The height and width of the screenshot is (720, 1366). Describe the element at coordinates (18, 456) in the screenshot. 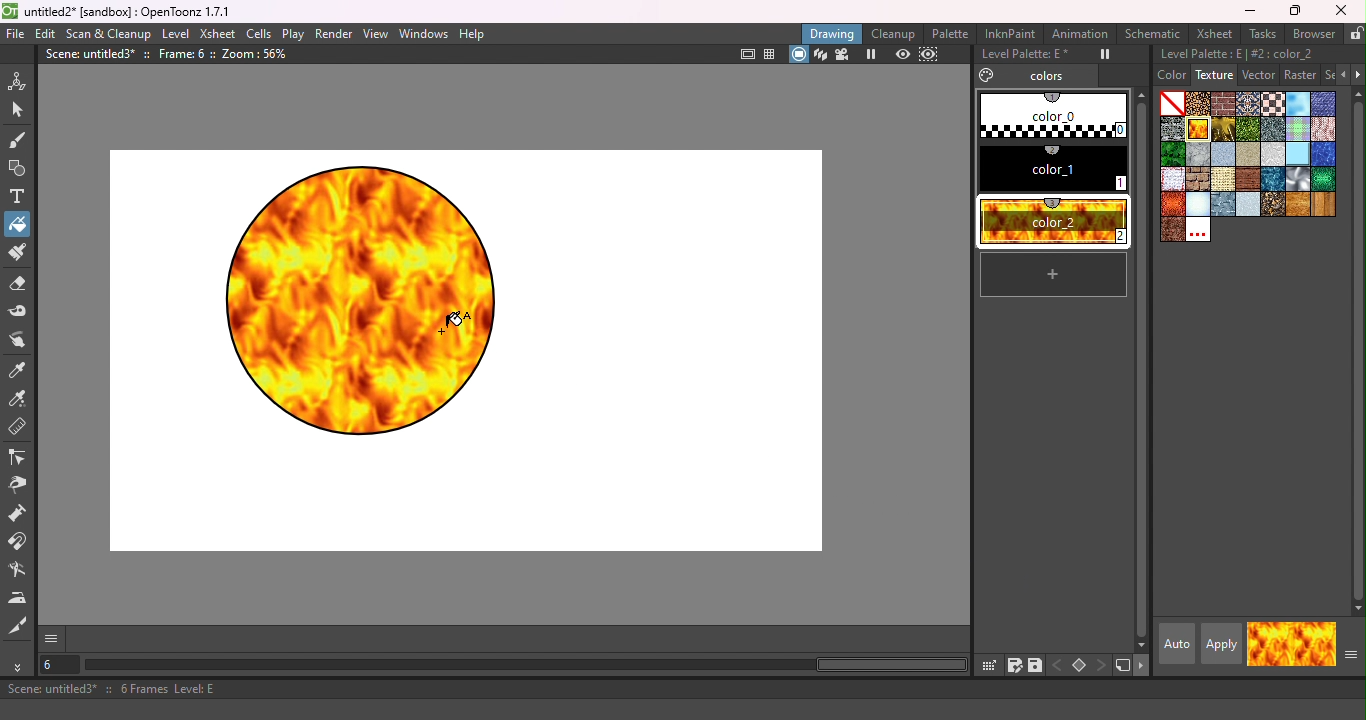

I see `Control point editor tool` at that location.